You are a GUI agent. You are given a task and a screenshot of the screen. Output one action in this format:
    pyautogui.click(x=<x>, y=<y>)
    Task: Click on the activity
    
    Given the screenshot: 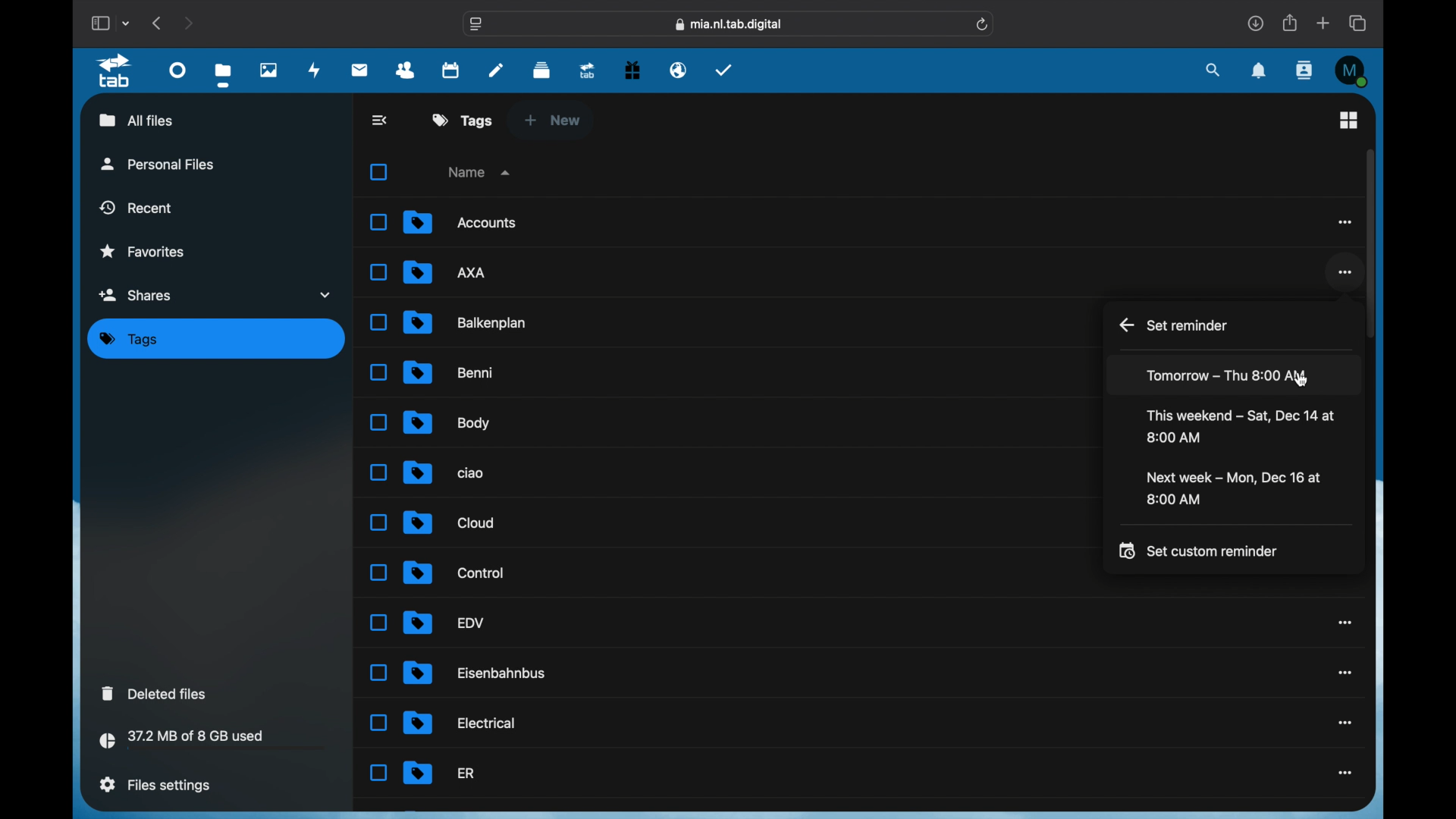 What is the action you would take?
    pyautogui.click(x=315, y=70)
    